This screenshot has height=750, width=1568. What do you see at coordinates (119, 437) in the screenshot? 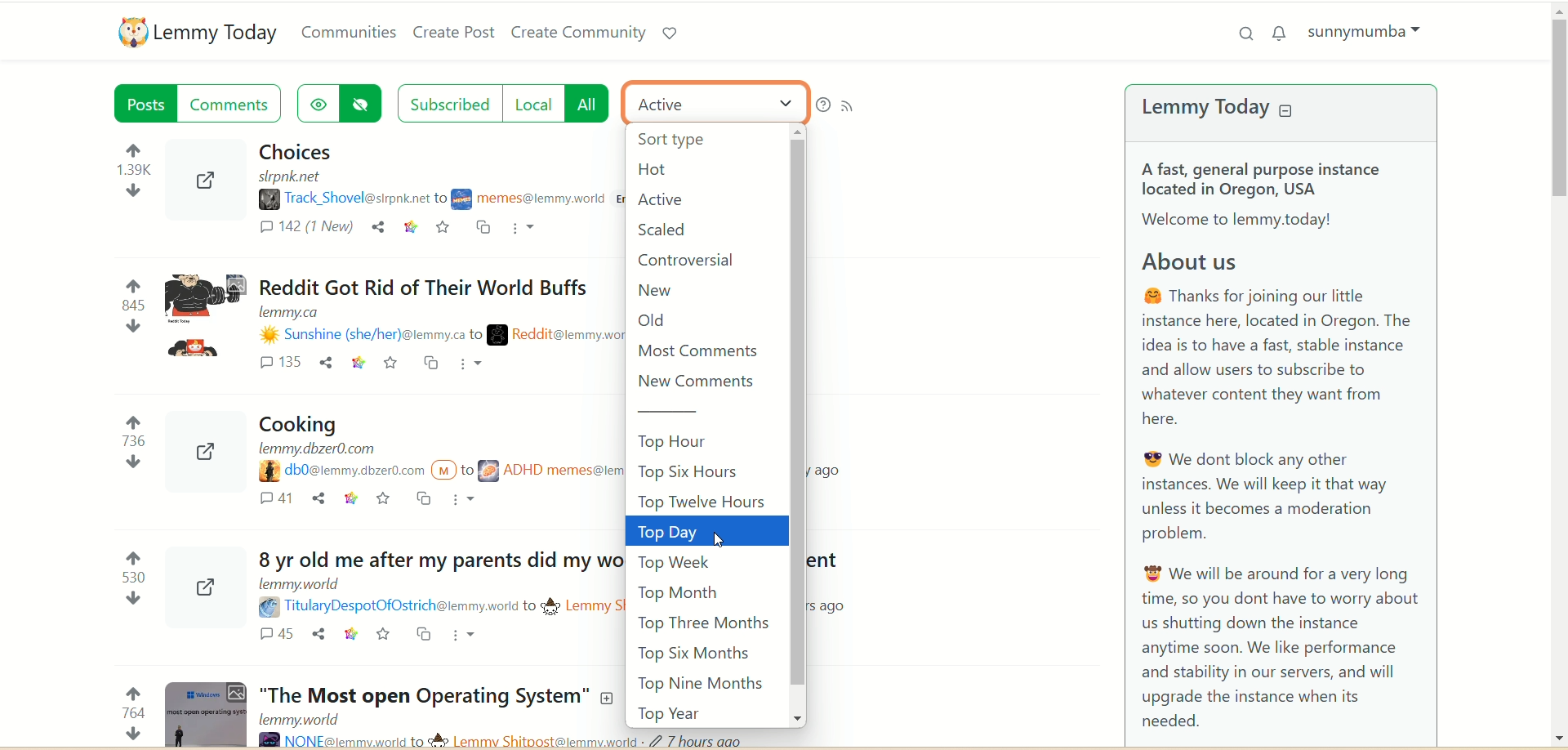
I see `votes` at bounding box center [119, 437].